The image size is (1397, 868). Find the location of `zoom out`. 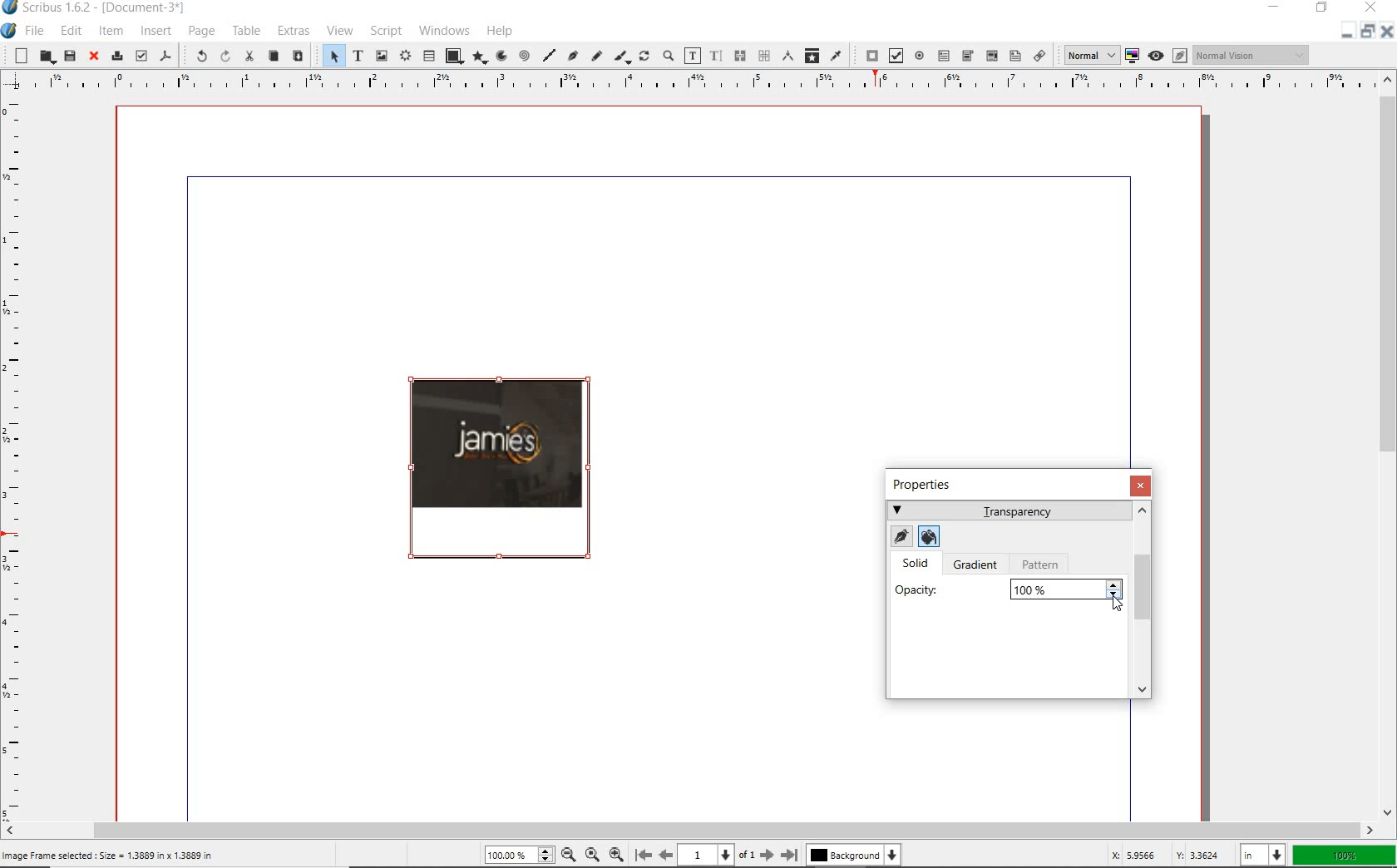

zoom out is located at coordinates (569, 856).